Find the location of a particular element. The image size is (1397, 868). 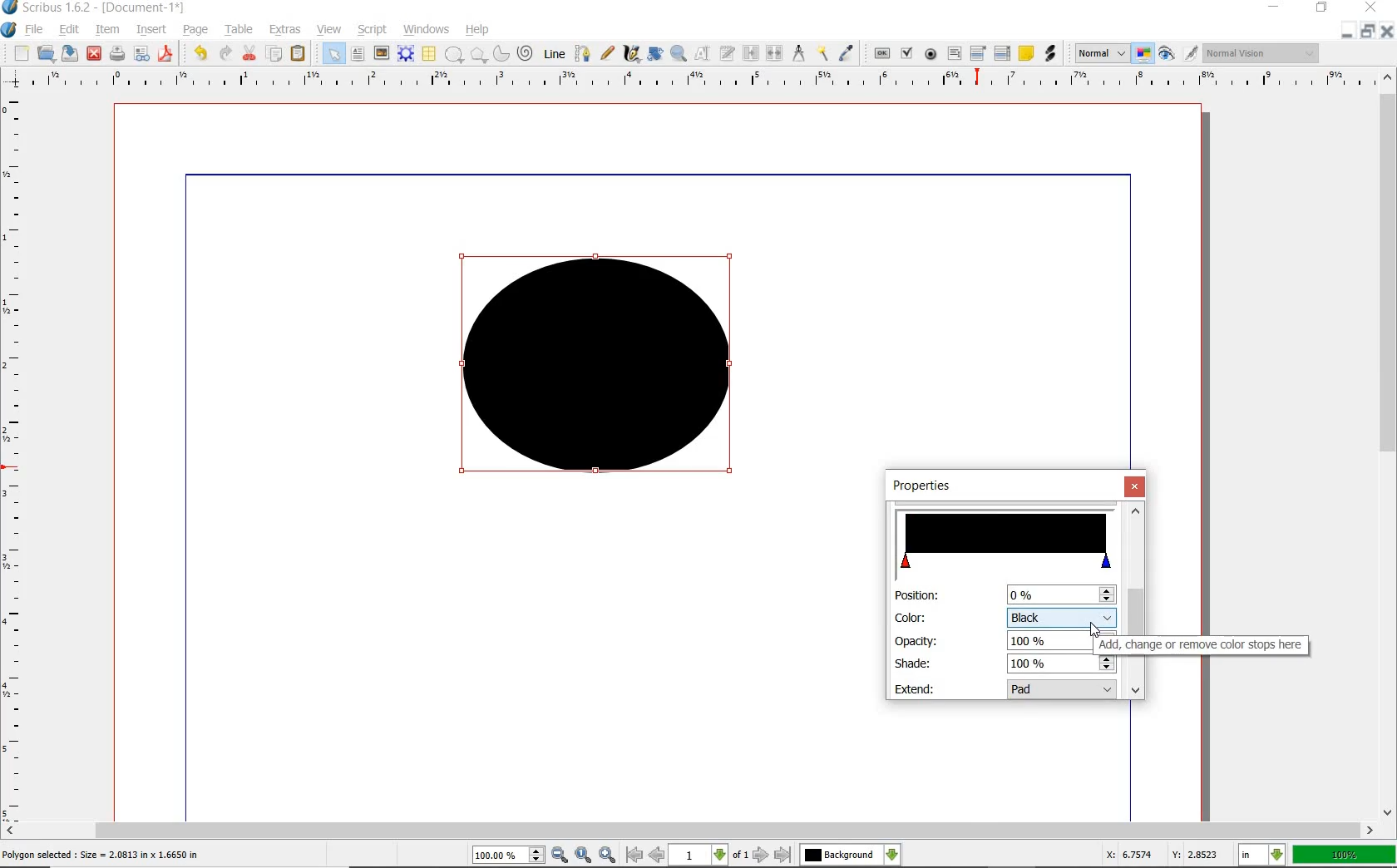

TOGGLE COLOR MANAGEMENT SYSTEM is located at coordinates (1144, 53).